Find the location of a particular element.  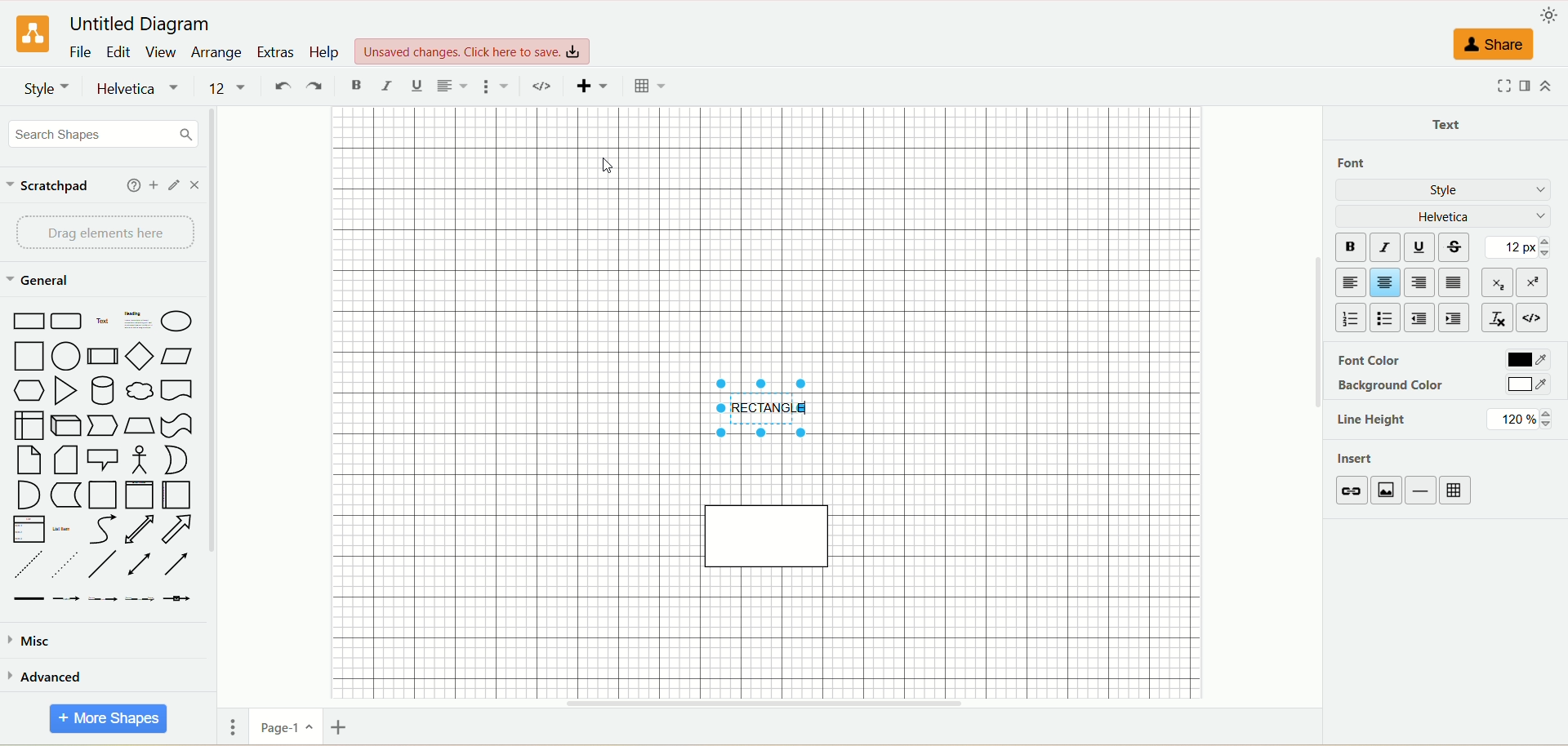

waypoint is located at coordinates (546, 87).